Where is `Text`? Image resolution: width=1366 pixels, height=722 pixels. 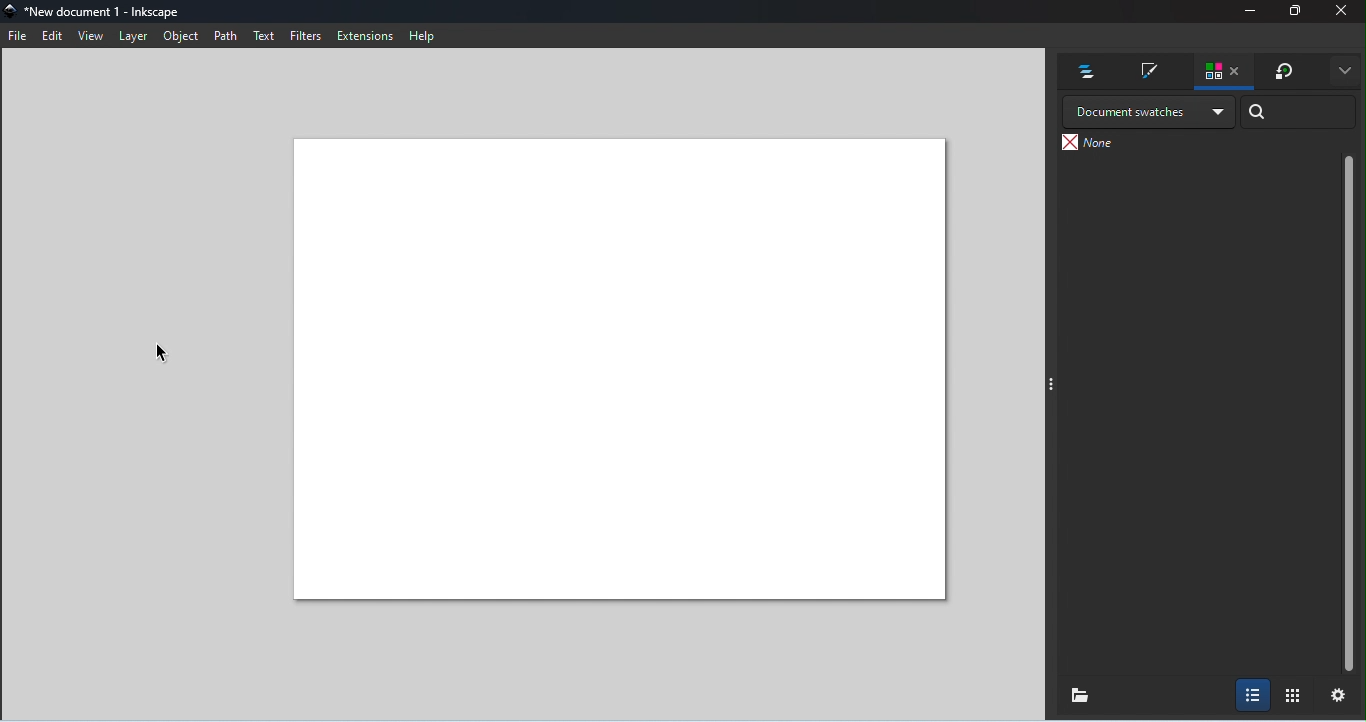
Text is located at coordinates (264, 35).